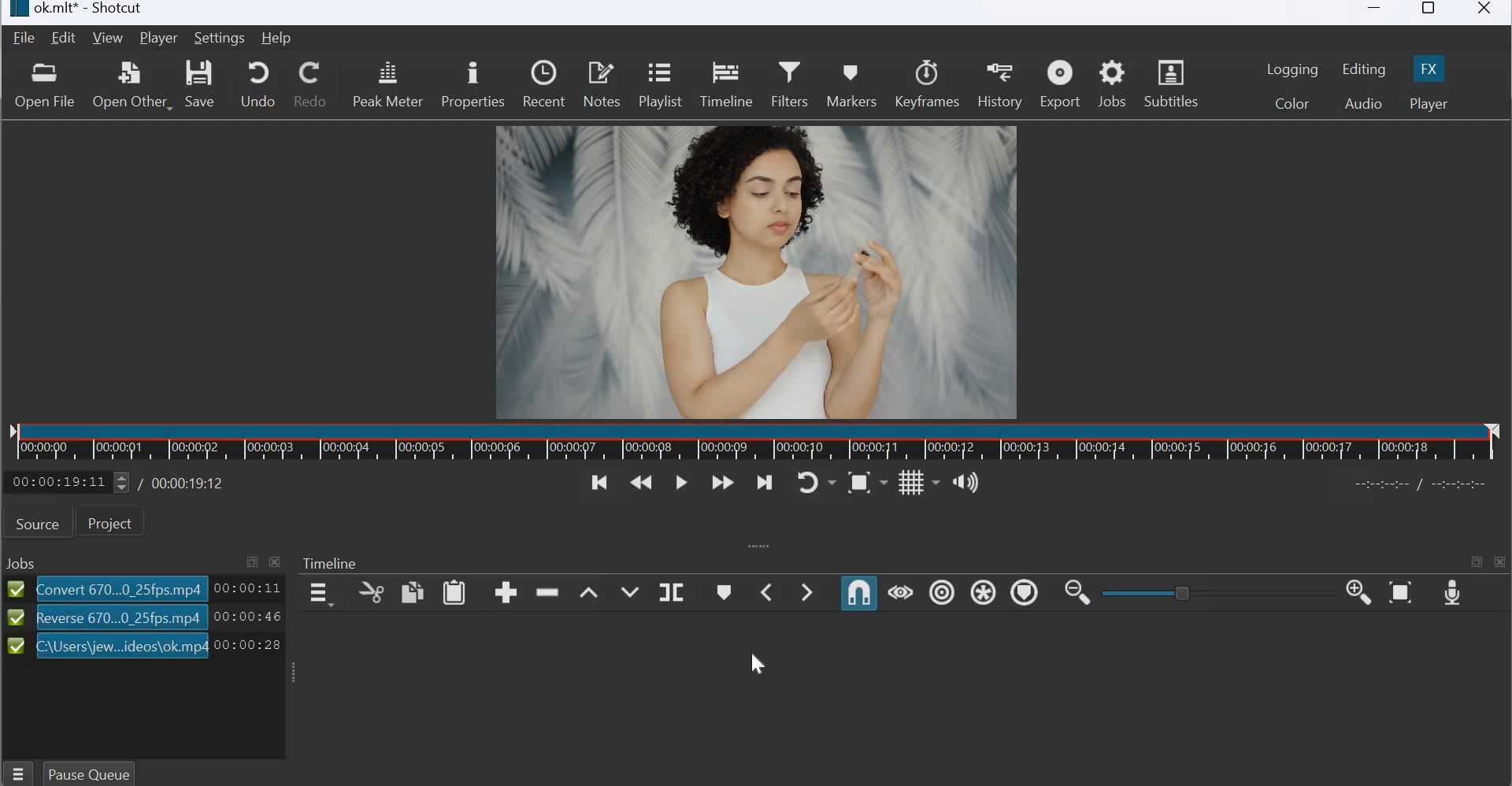 The width and height of the screenshot is (1512, 786). Describe the element at coordinates (543, 82) in the screenshot. I see `Recent` at that location.